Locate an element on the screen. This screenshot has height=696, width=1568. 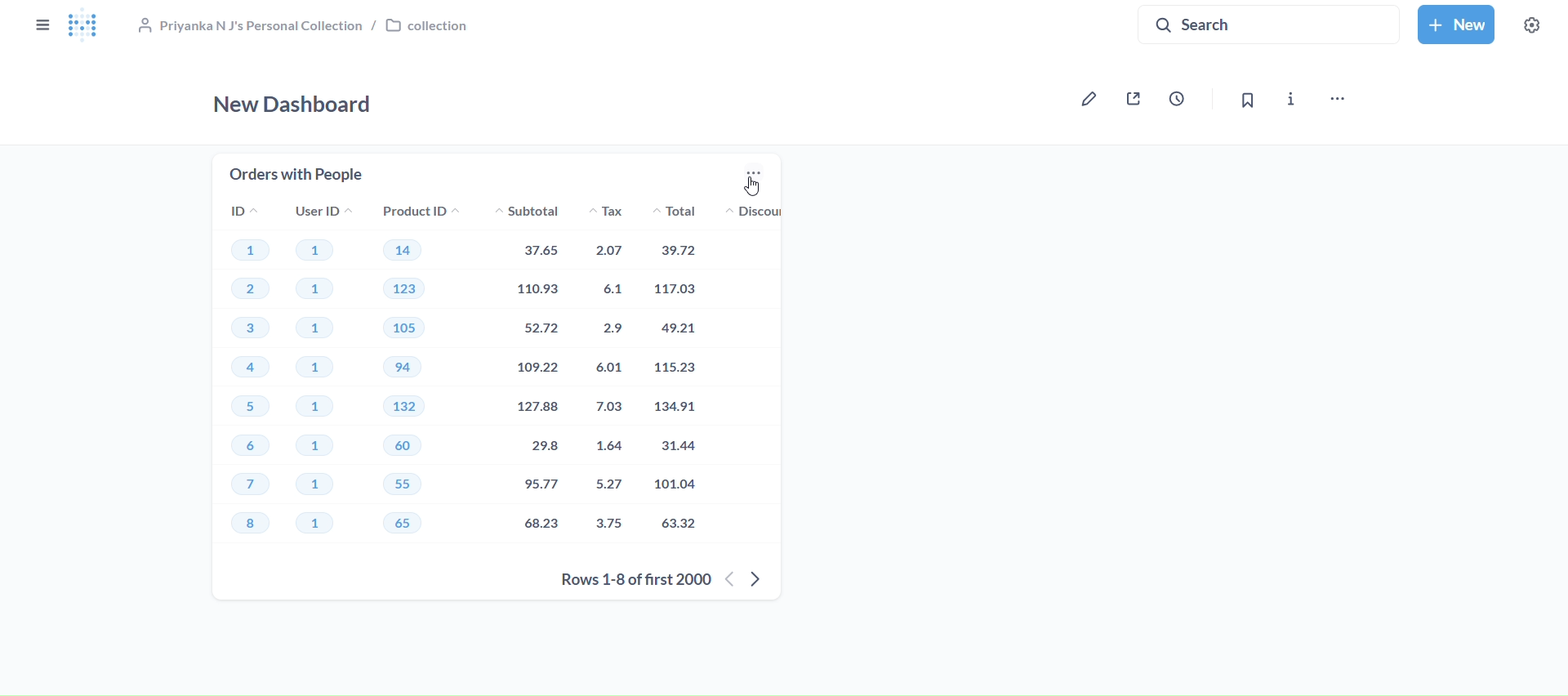
settings is located at coordinates (1532, 25).